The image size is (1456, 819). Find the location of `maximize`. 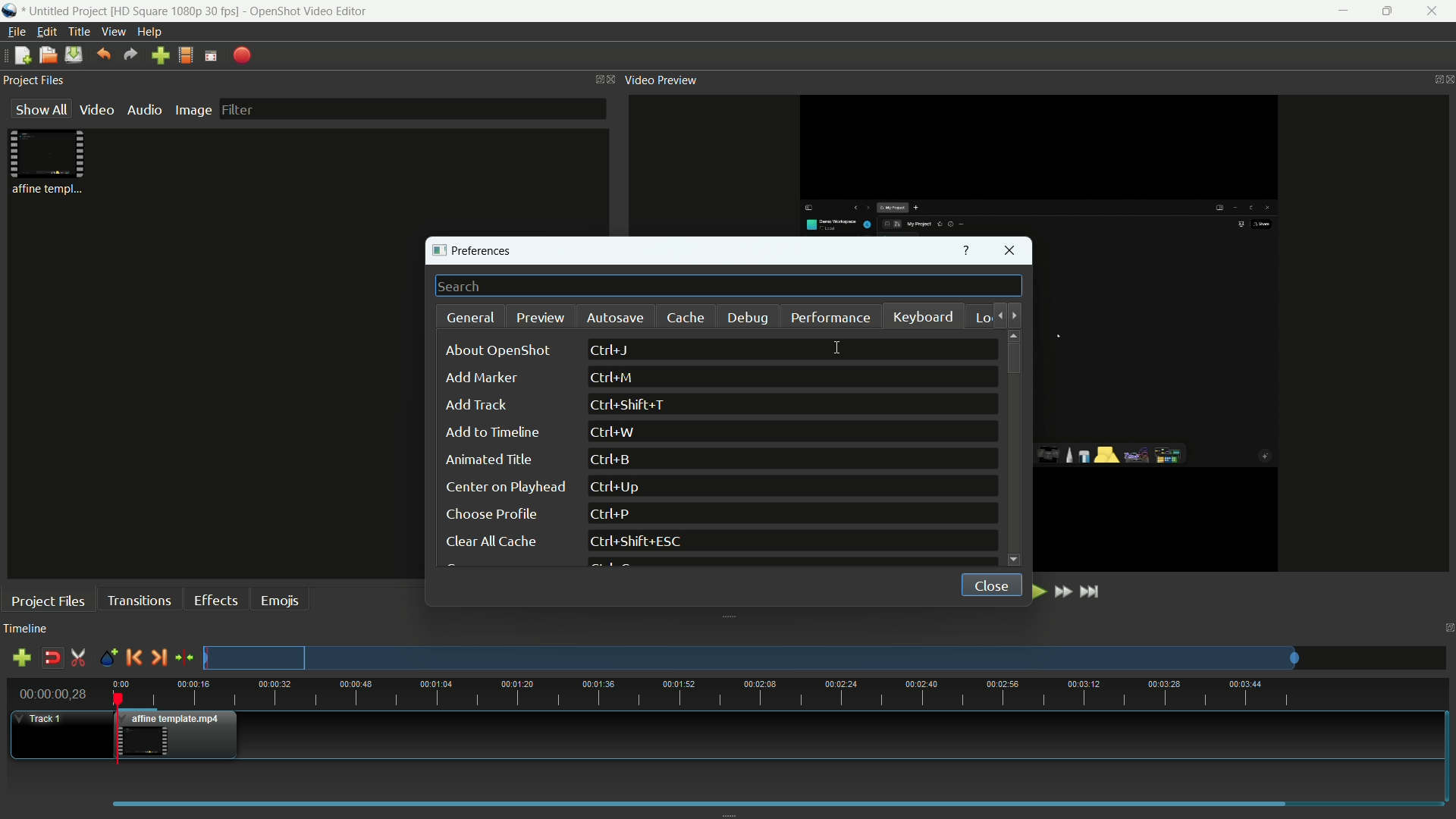

maximize is located at coordinates (1387, 11).